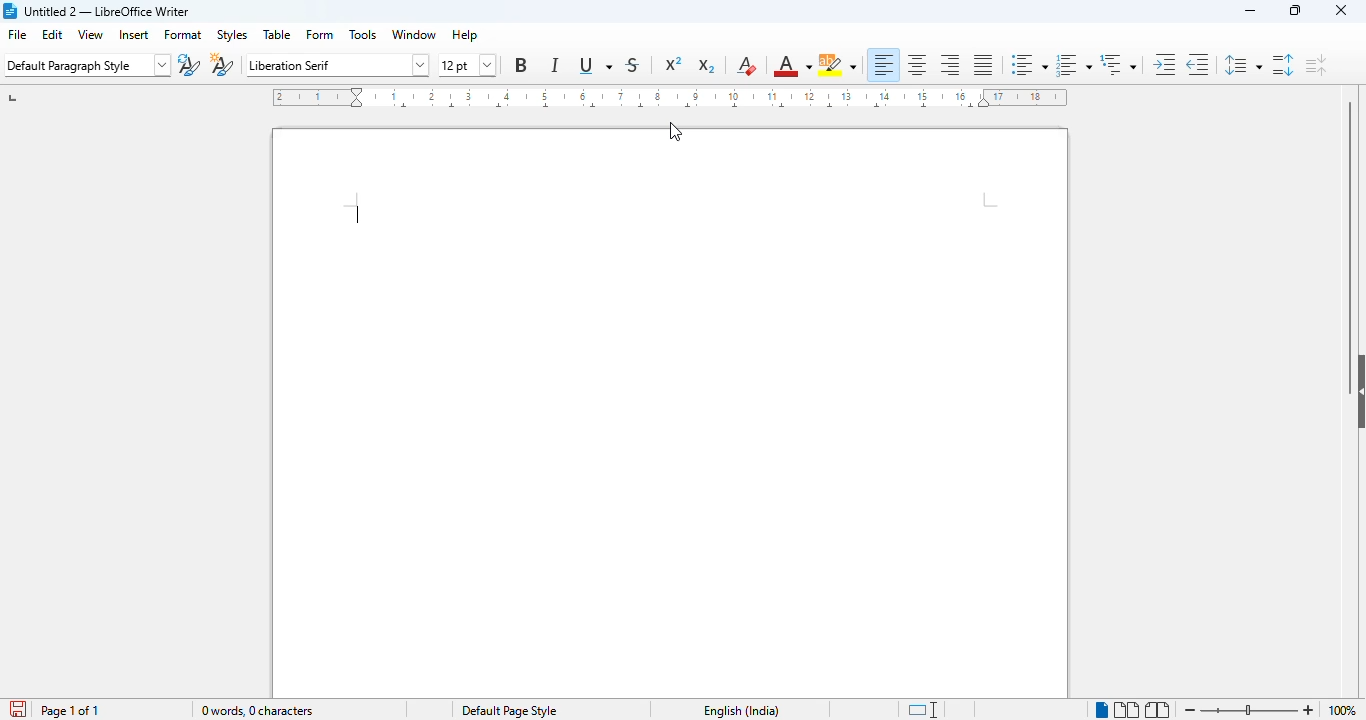 This screenshot has width=1366, height=720. What do you see at coordinates (1126, 709) in the screenshot?
I see `multi-page view` at bounding box center [1126, 709].